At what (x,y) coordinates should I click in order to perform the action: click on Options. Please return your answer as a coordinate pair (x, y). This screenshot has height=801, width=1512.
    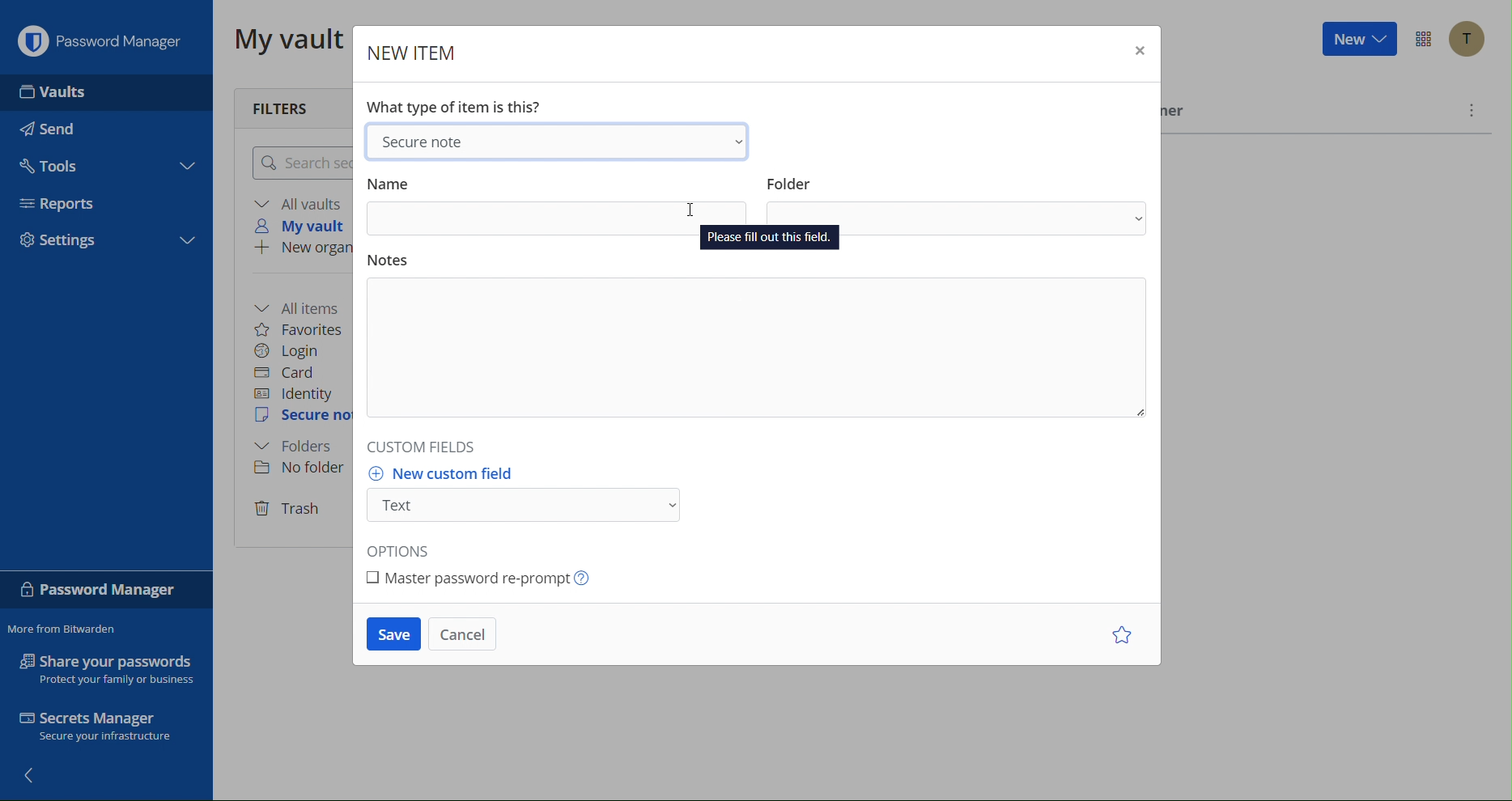
    Looking at the image, I should click on (408, 549).